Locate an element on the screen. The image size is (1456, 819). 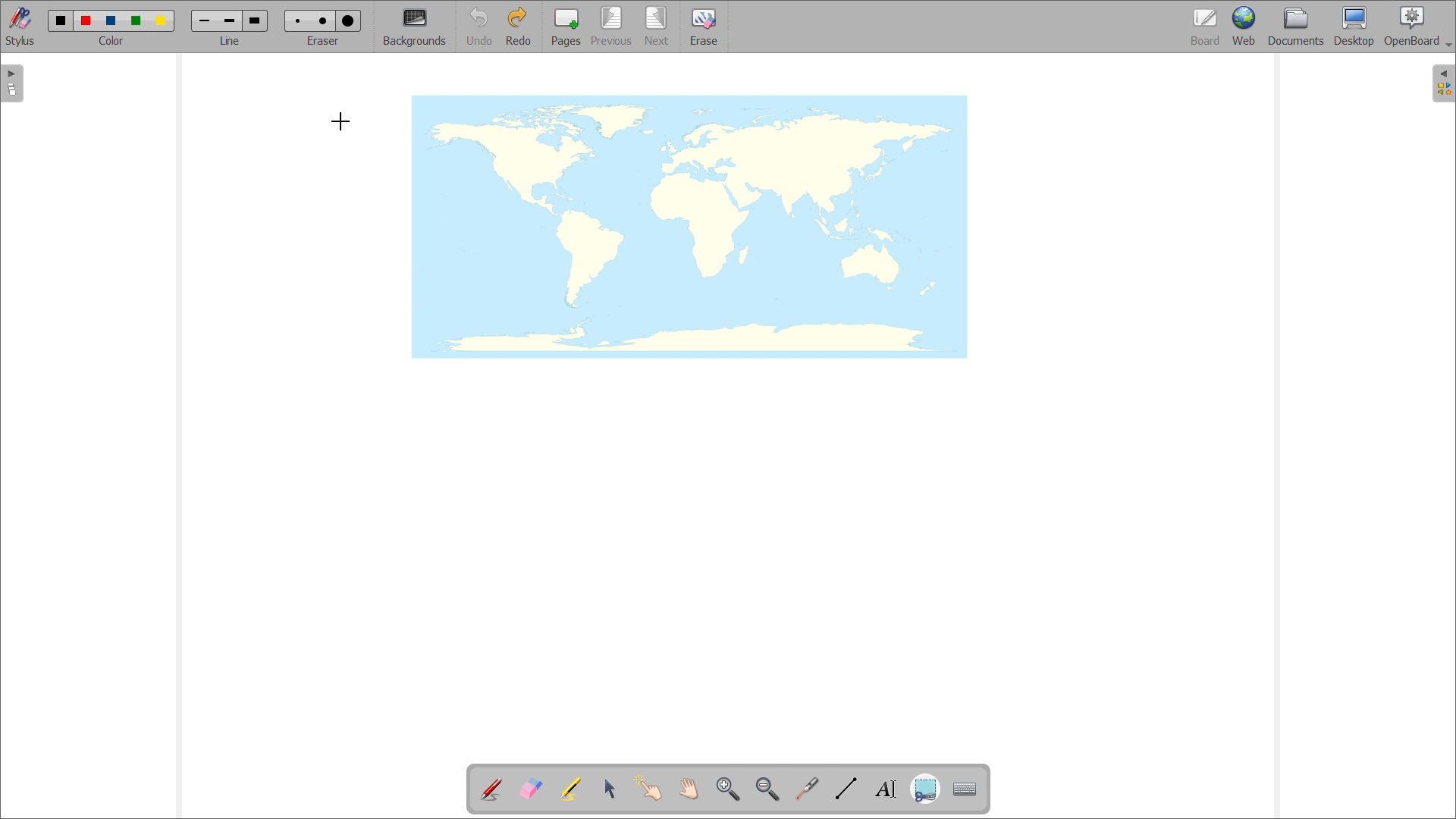
Eraser is located at coordinates (325, 40).